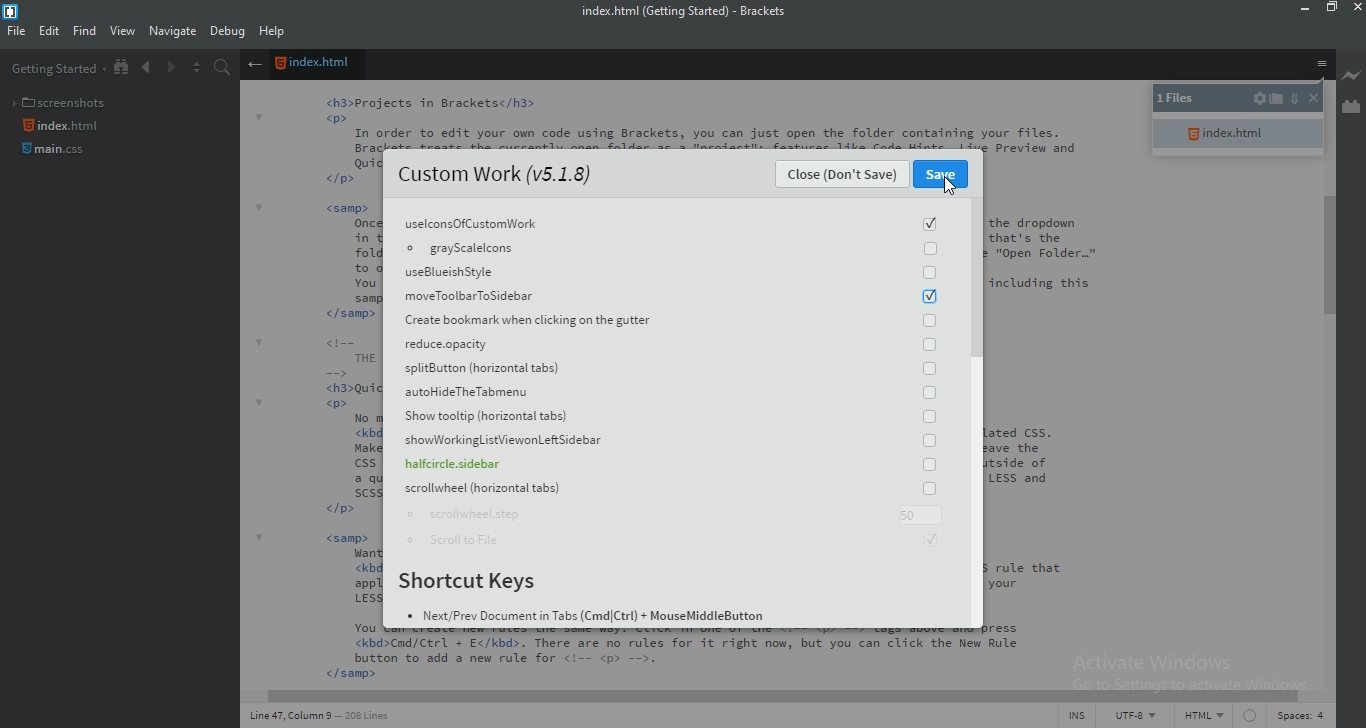  What do you see at coordinates (666, 467) in the screenshot?
I see `halfcircle.sidebar` at bounding box center [666, 467].